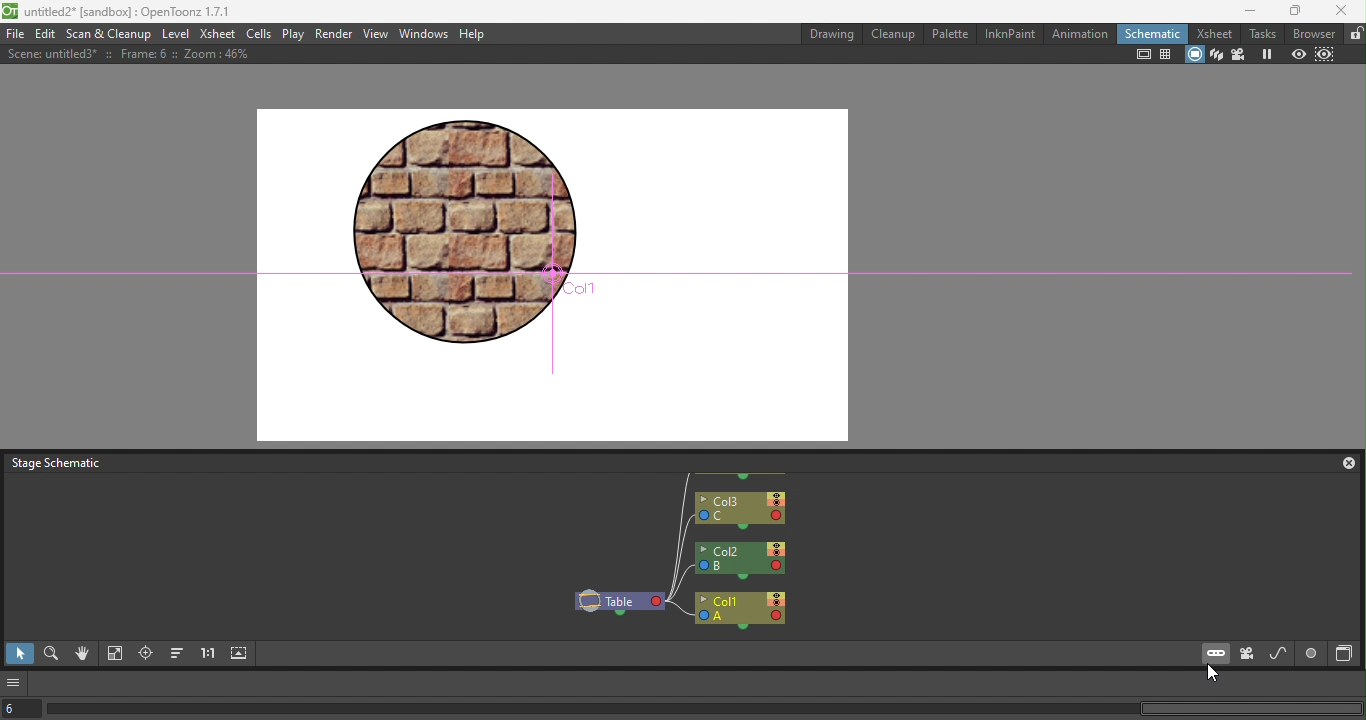 This screenshot has height=720, width=1366. I want to click on InknPaint, so click(1011, 34).